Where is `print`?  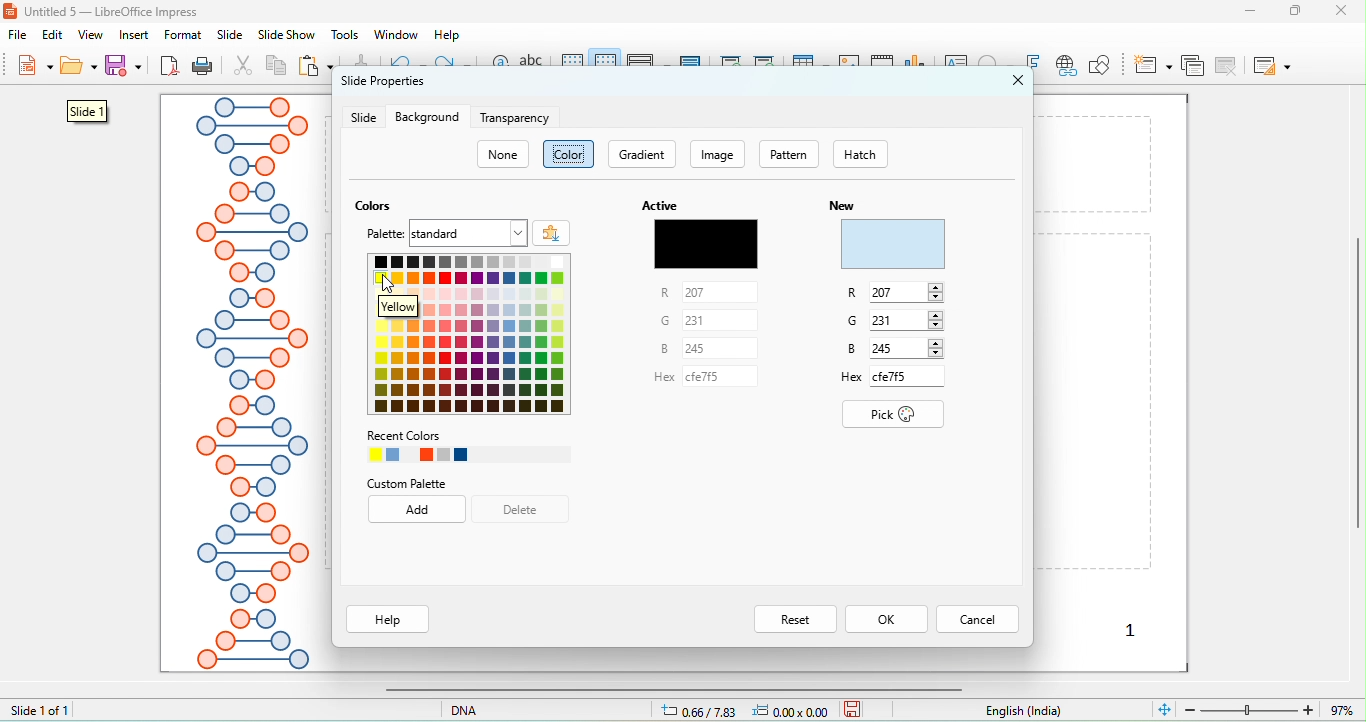
print is located at coordinates (202, 67).